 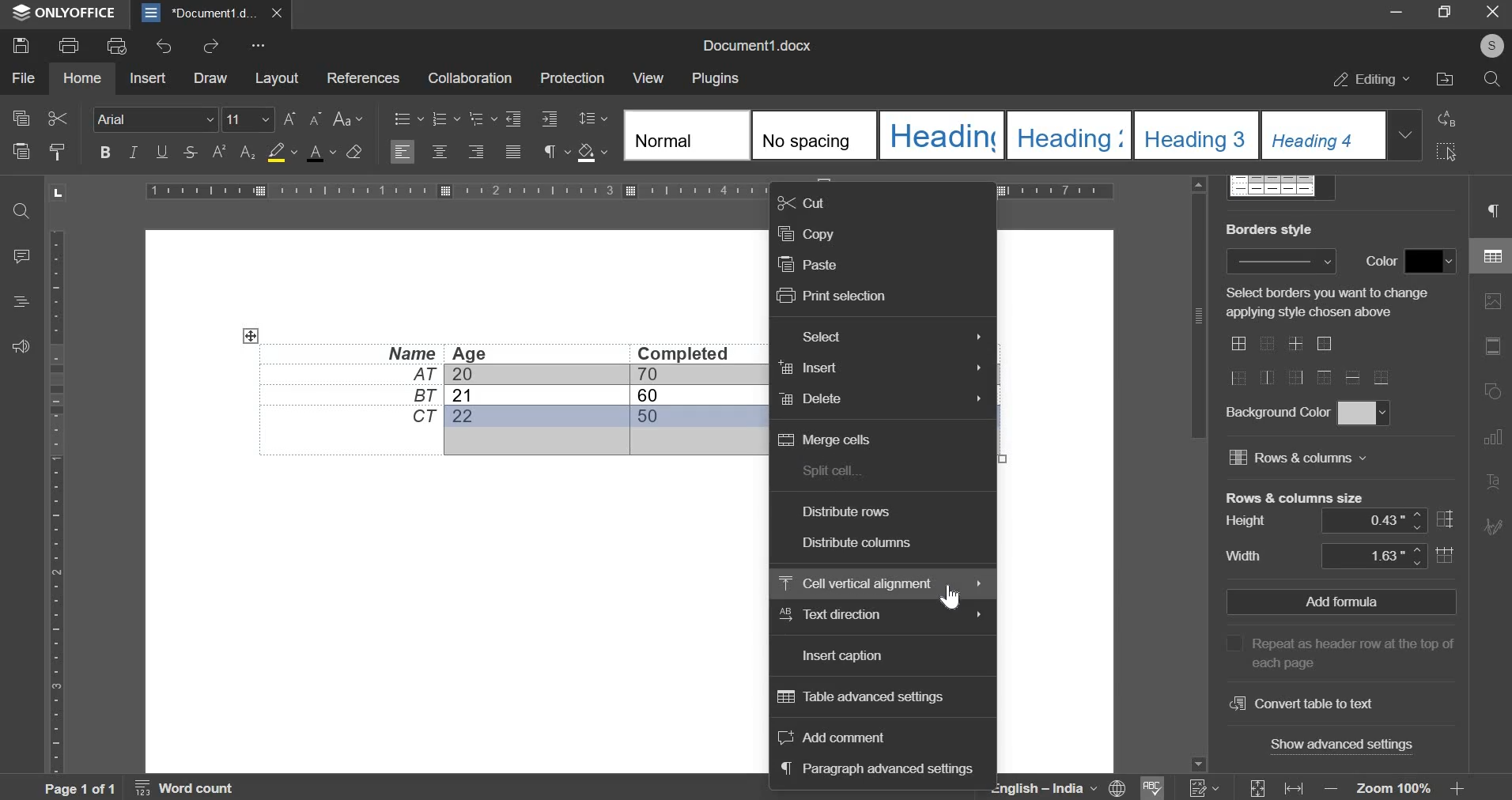 What do you see at coordinates (713, 79) in the screenshot?
I see `plugins` at bounding box center [713, 79].